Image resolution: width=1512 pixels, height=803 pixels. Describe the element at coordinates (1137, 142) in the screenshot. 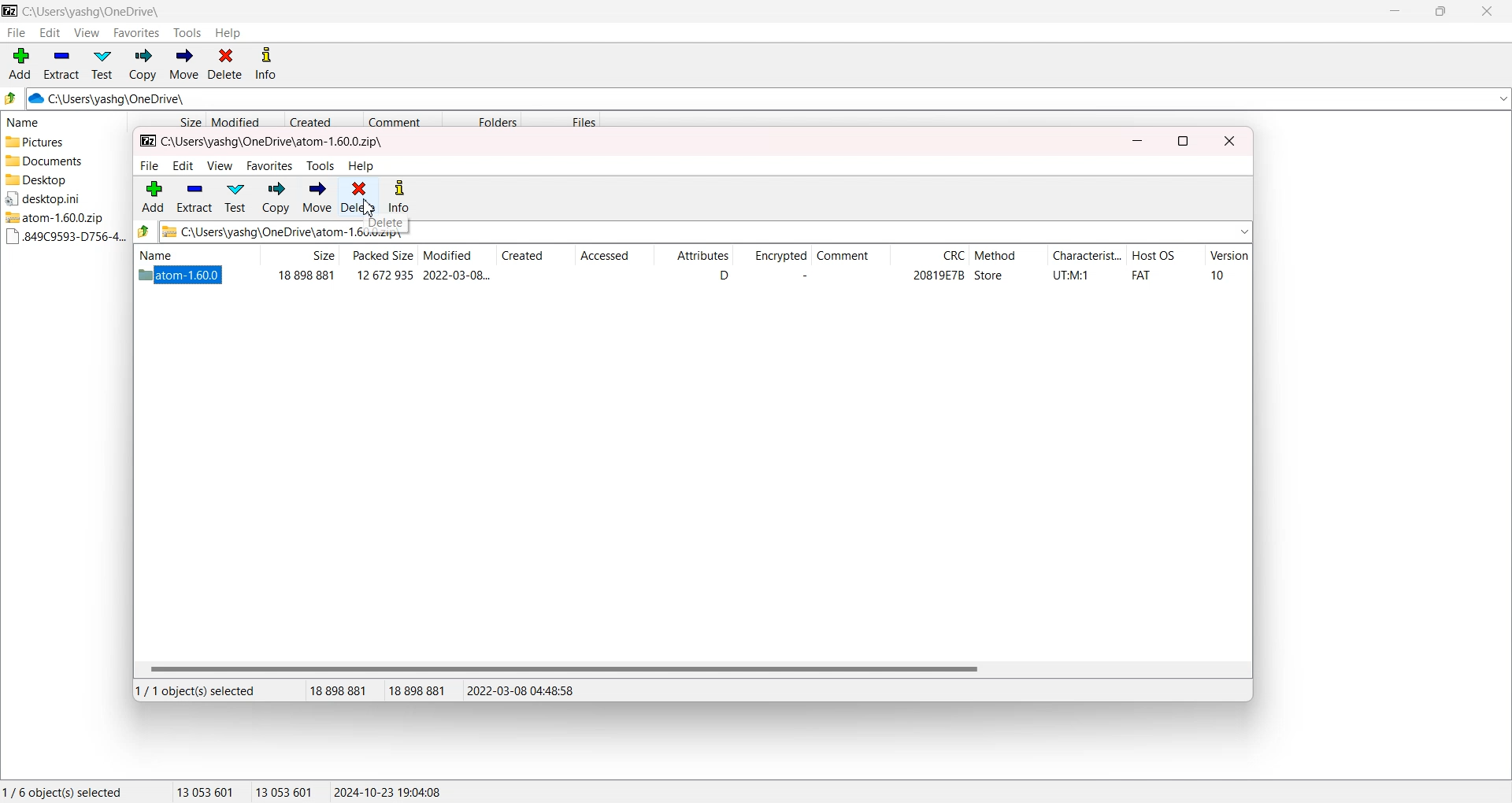

I see `minimize` at that location.